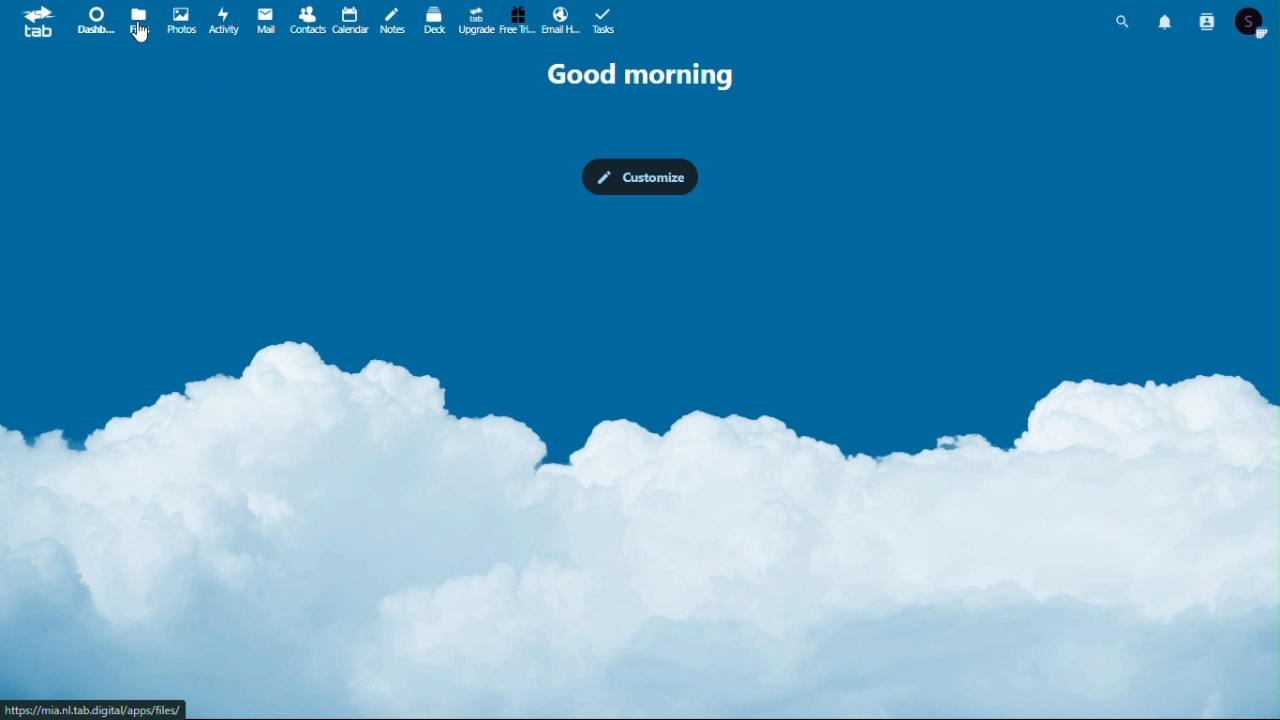 The height and width of the screenshot is (720, 1280). I want to click on mail, so click(265, 18).